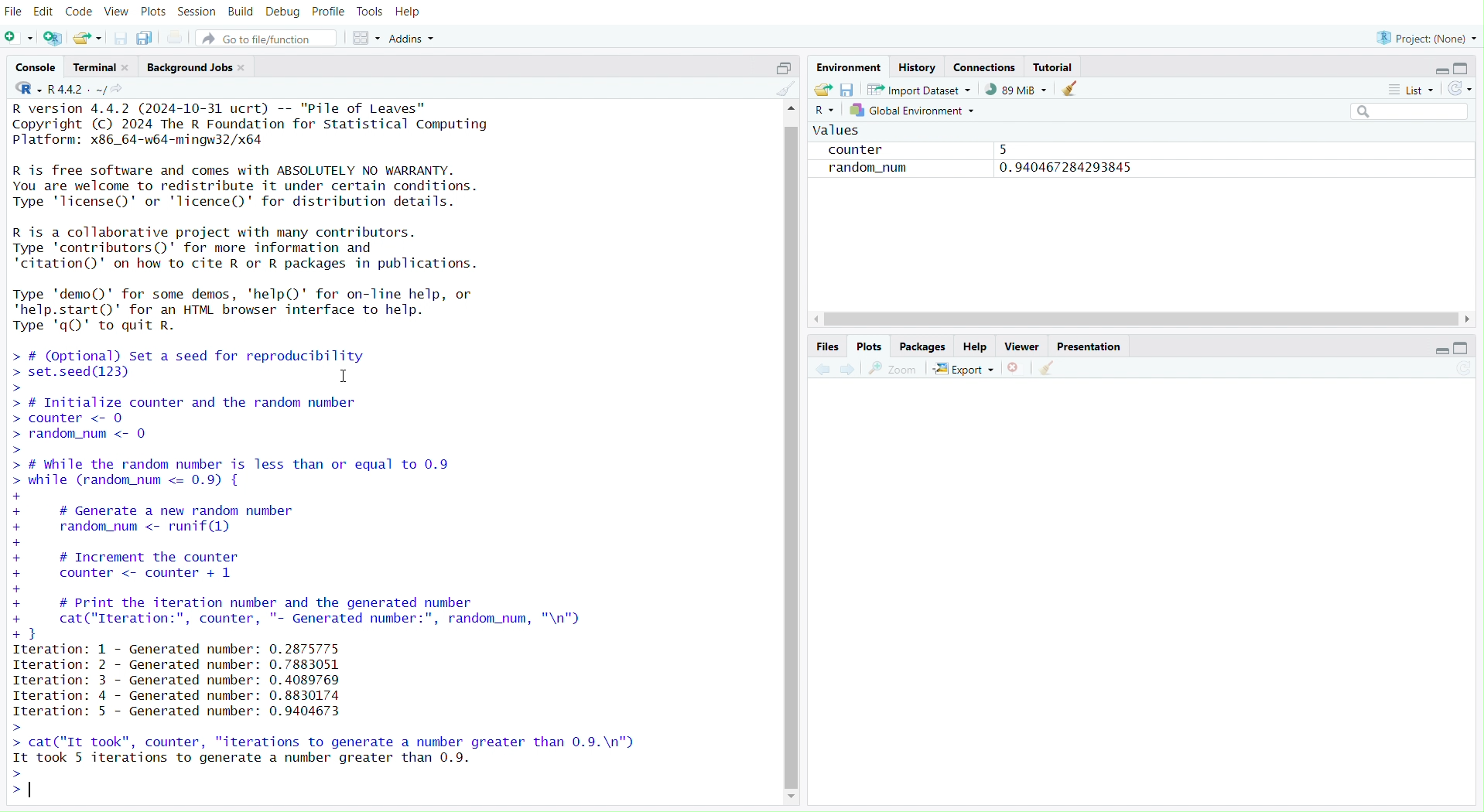 Image resolution: width=1484 pixels, height=812 pixels. I want to click on R.4.4.2~/, so click(78, 90).